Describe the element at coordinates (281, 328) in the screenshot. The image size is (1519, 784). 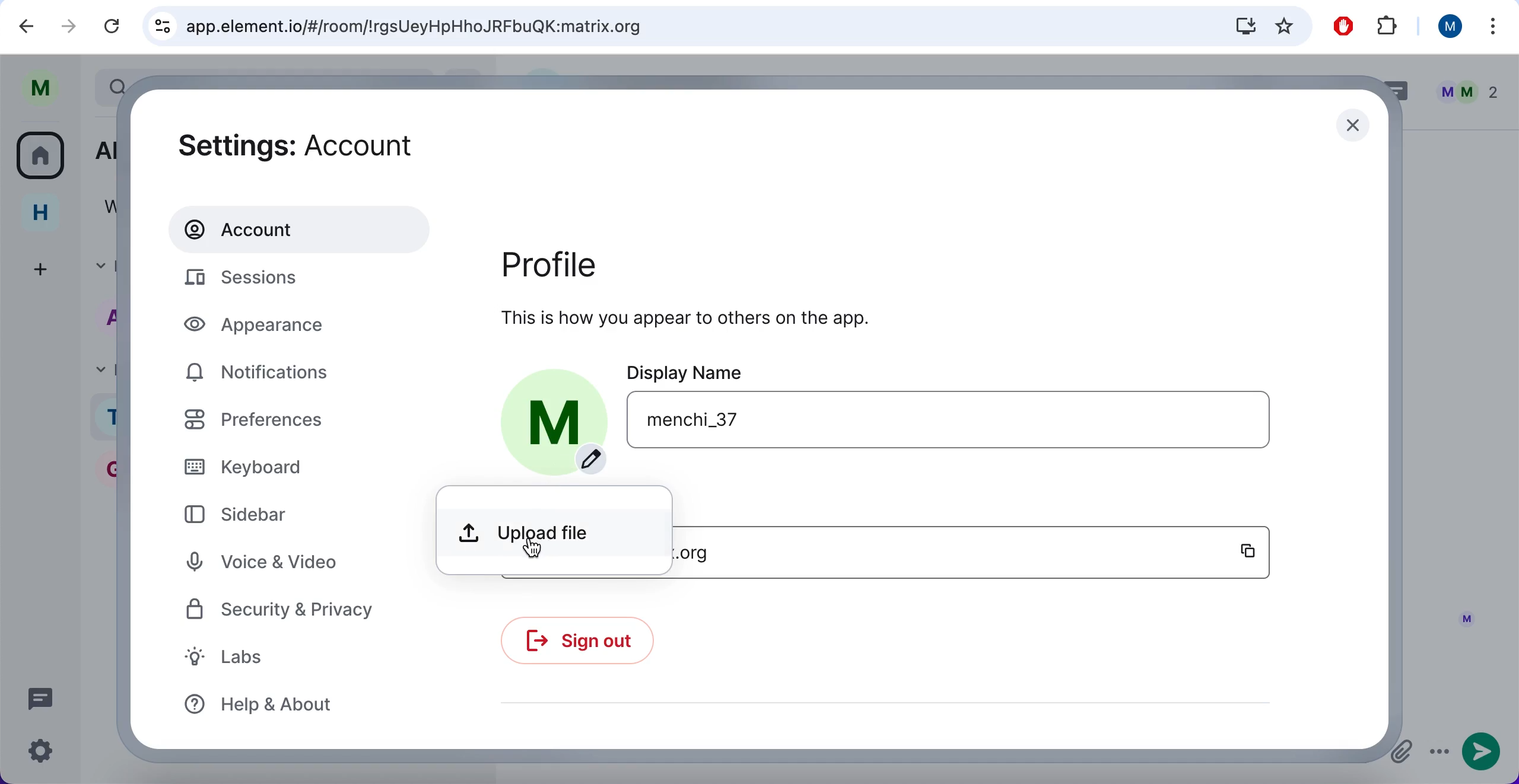
I see `appearance` at that location.